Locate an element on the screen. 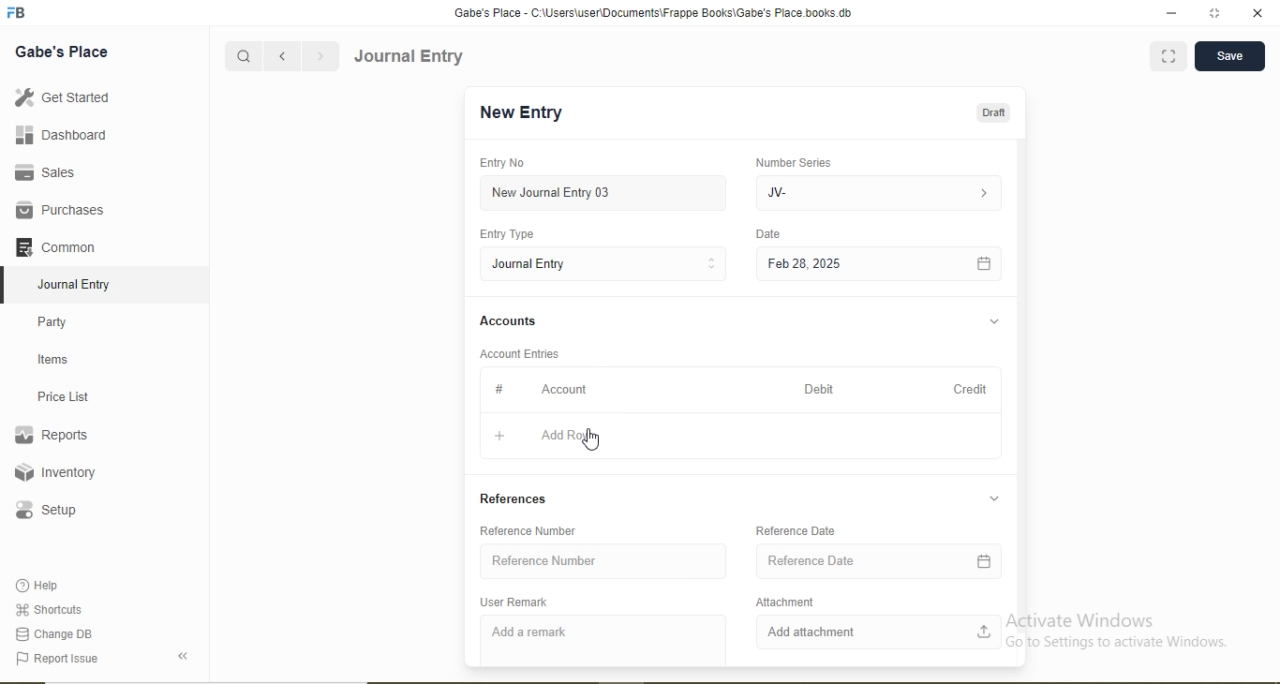 This screenshot has height=684, width=1280. Save is located at coordinates (1229, 54).